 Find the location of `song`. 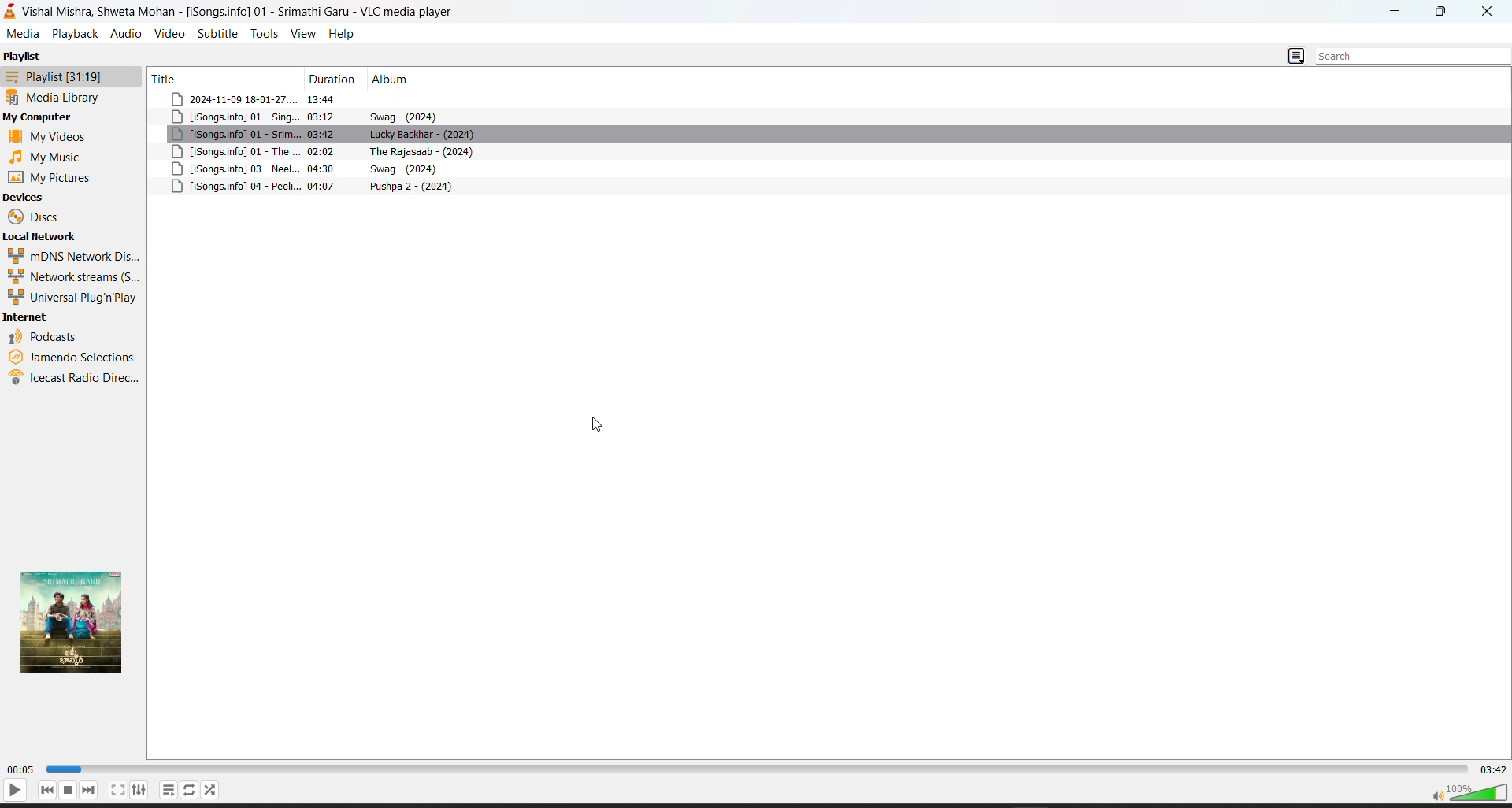

song is located at coordinates (828, 117).